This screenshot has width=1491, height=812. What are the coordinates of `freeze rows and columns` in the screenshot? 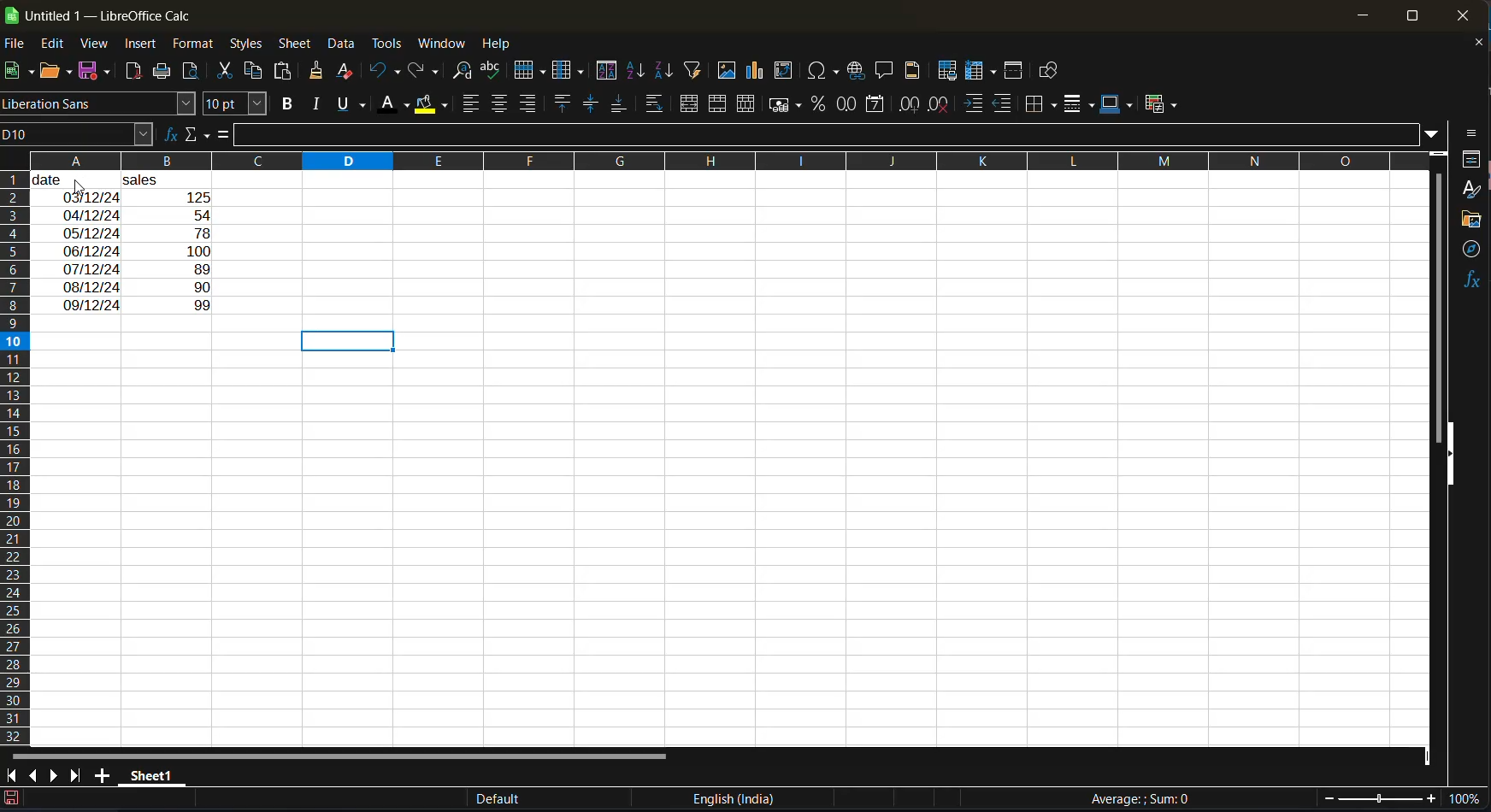 It's located at (984, 73).